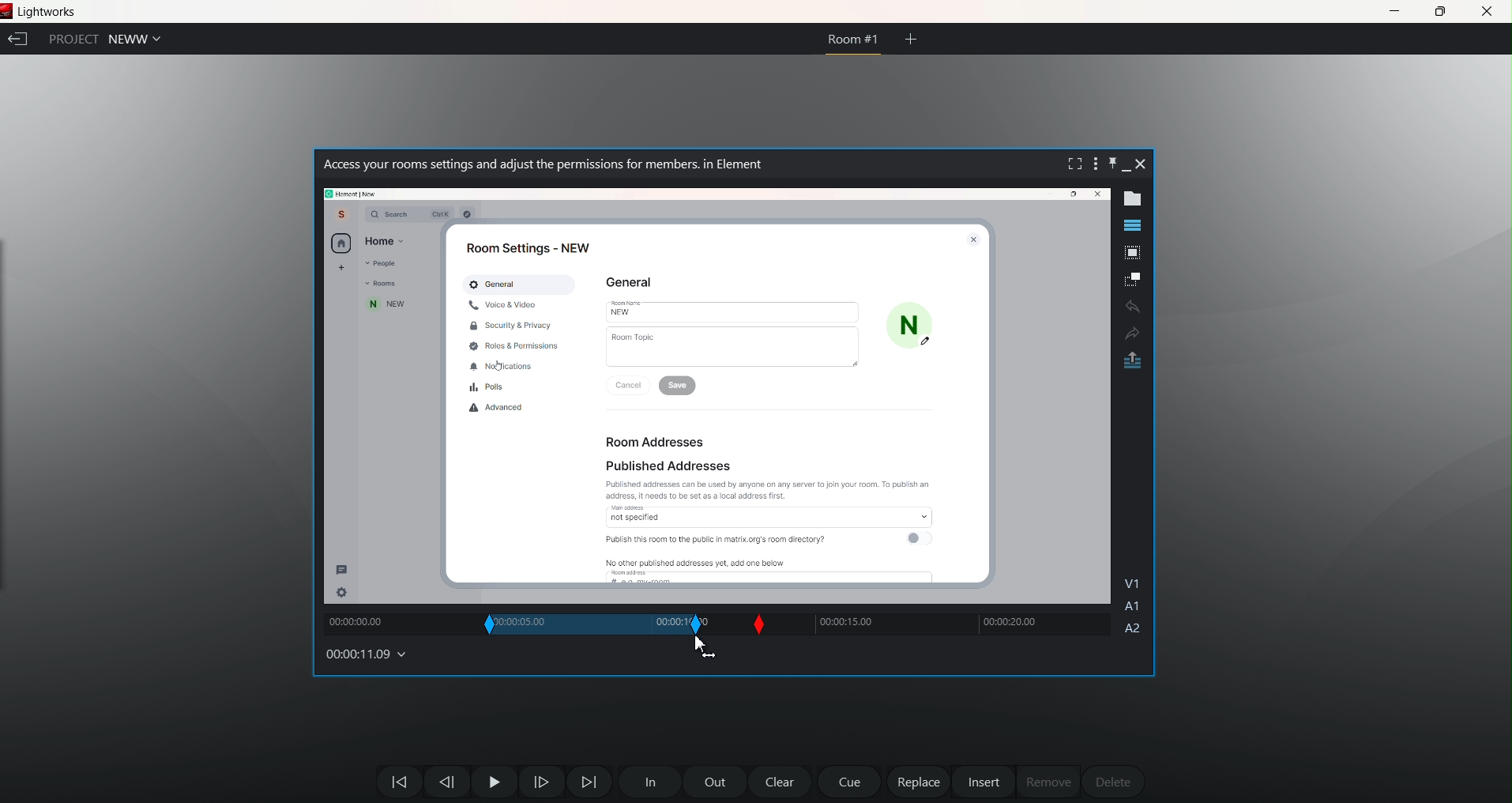  Describe the element at coordinates (1134, 278) in the screenshot. I see `make subclip` at that location.